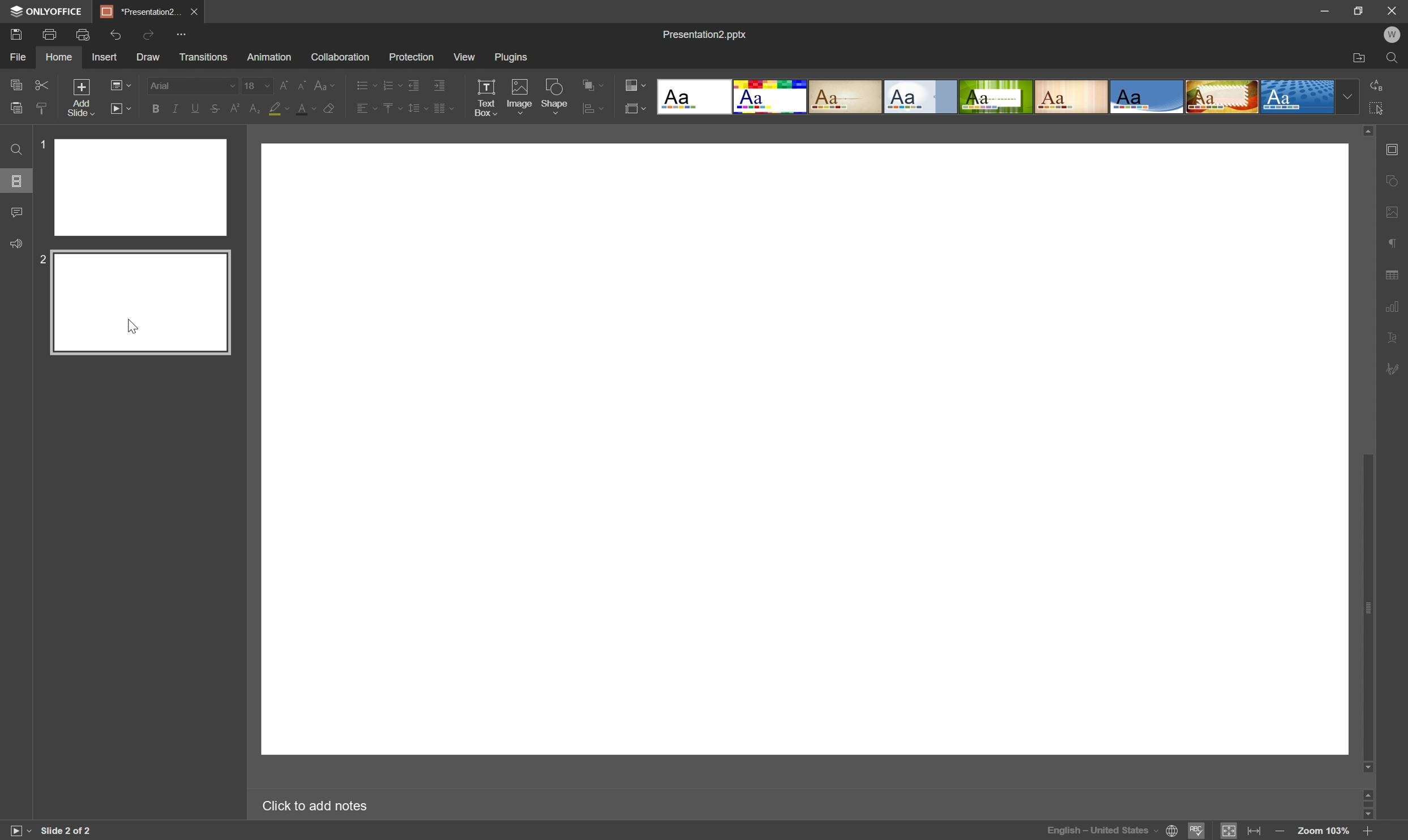 The width and height of the screenshot is (1408, 840). What do you see at coordinates (18, 182) in the screenshot?
I see `Slides` at bounding box center [18, 182].